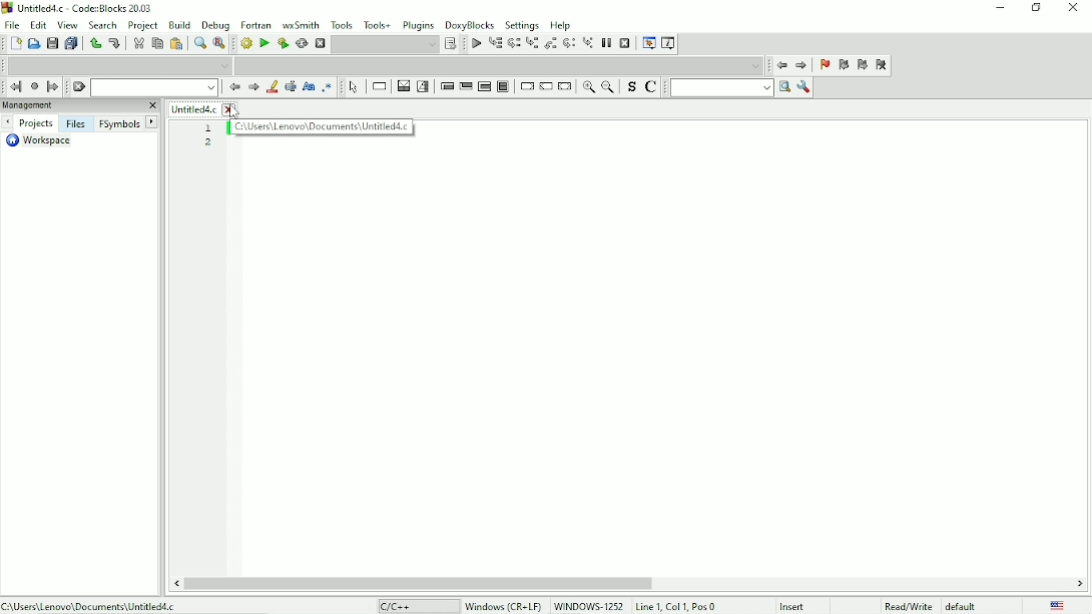  I want to click on Insert, so click(795, 606).